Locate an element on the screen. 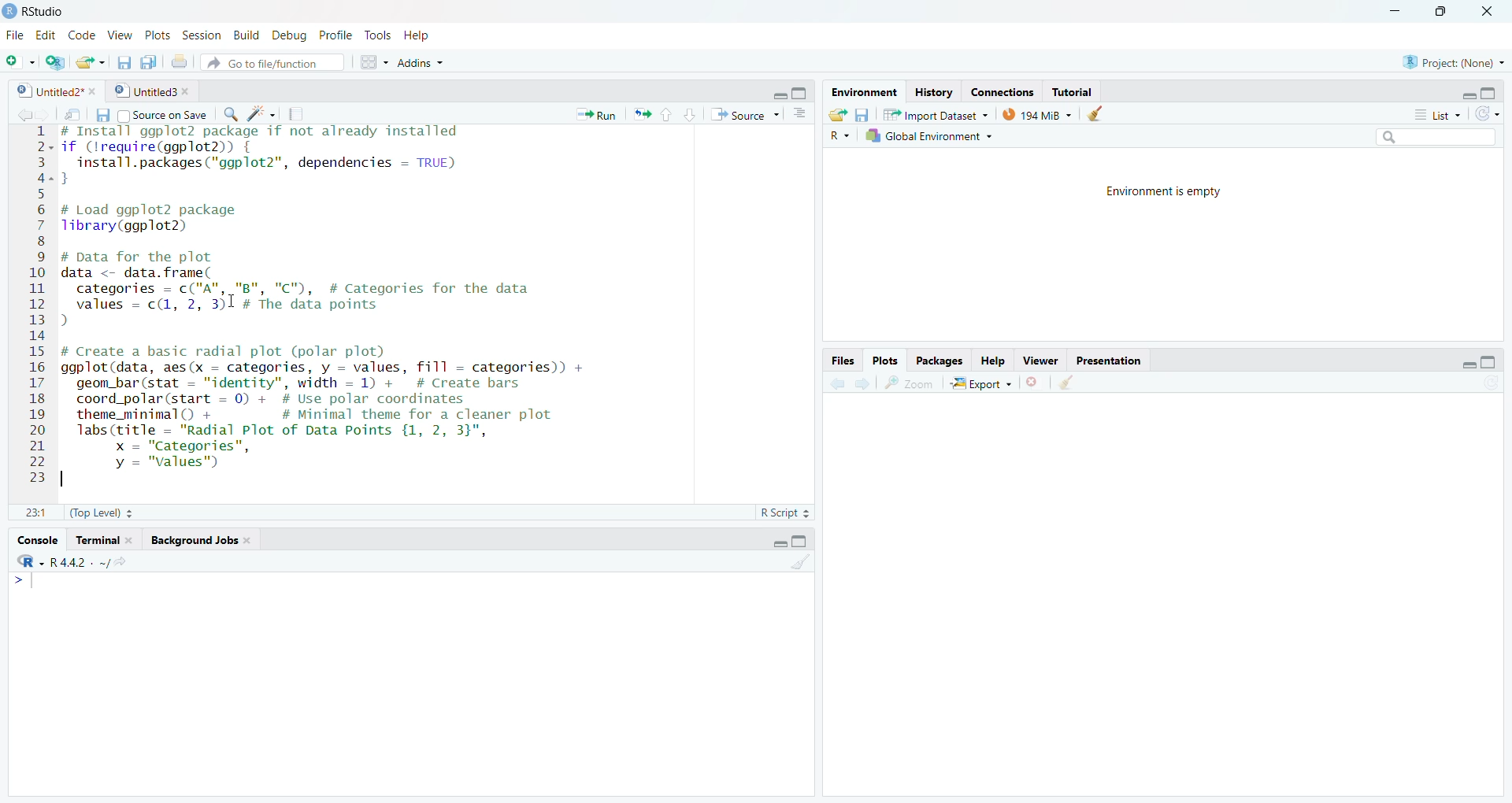 The image size is (1512, 803). Help is located at coordinates (416, 35).